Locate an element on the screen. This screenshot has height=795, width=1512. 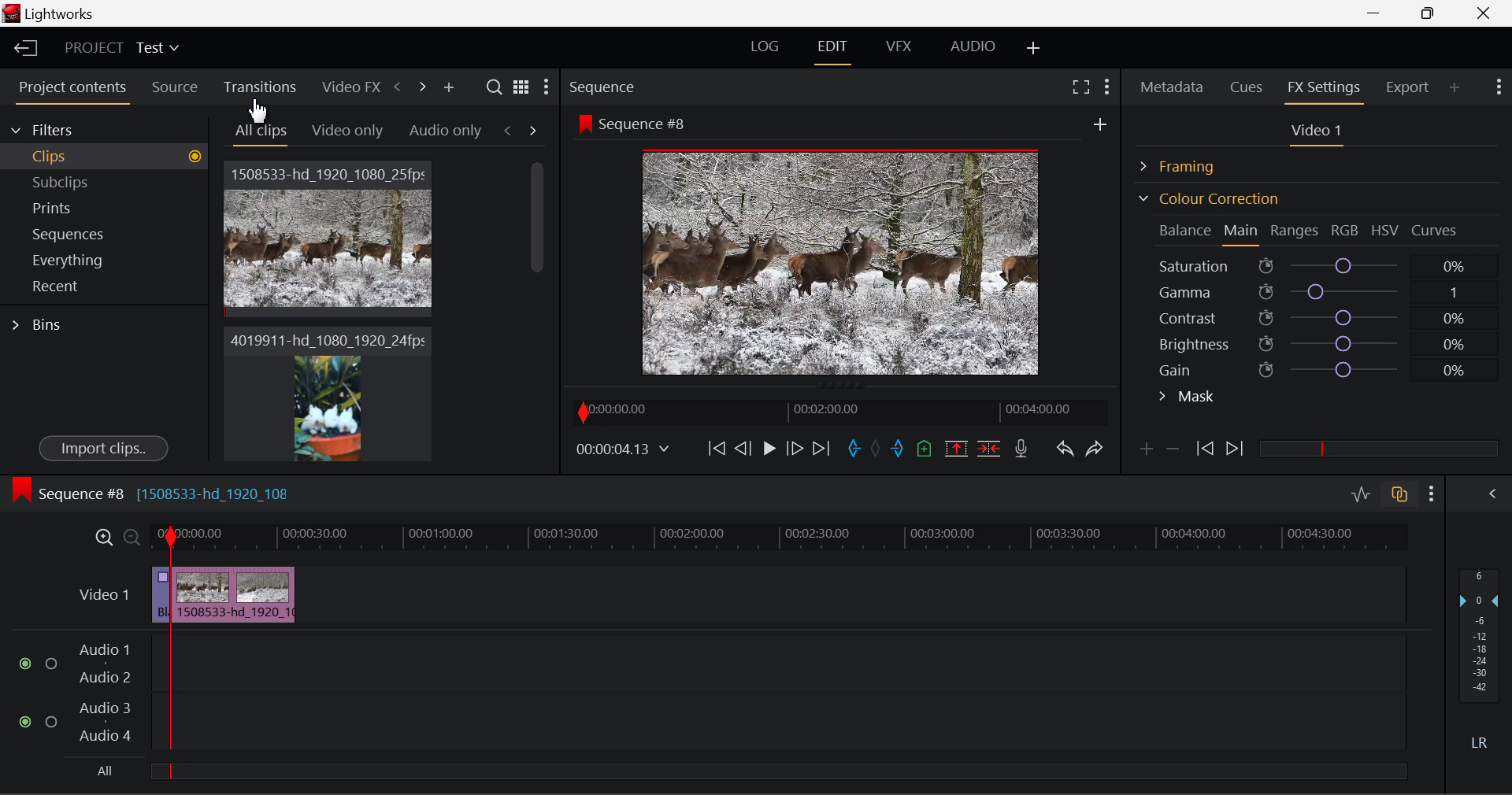
Import clips is located at coordinates (103, 449).